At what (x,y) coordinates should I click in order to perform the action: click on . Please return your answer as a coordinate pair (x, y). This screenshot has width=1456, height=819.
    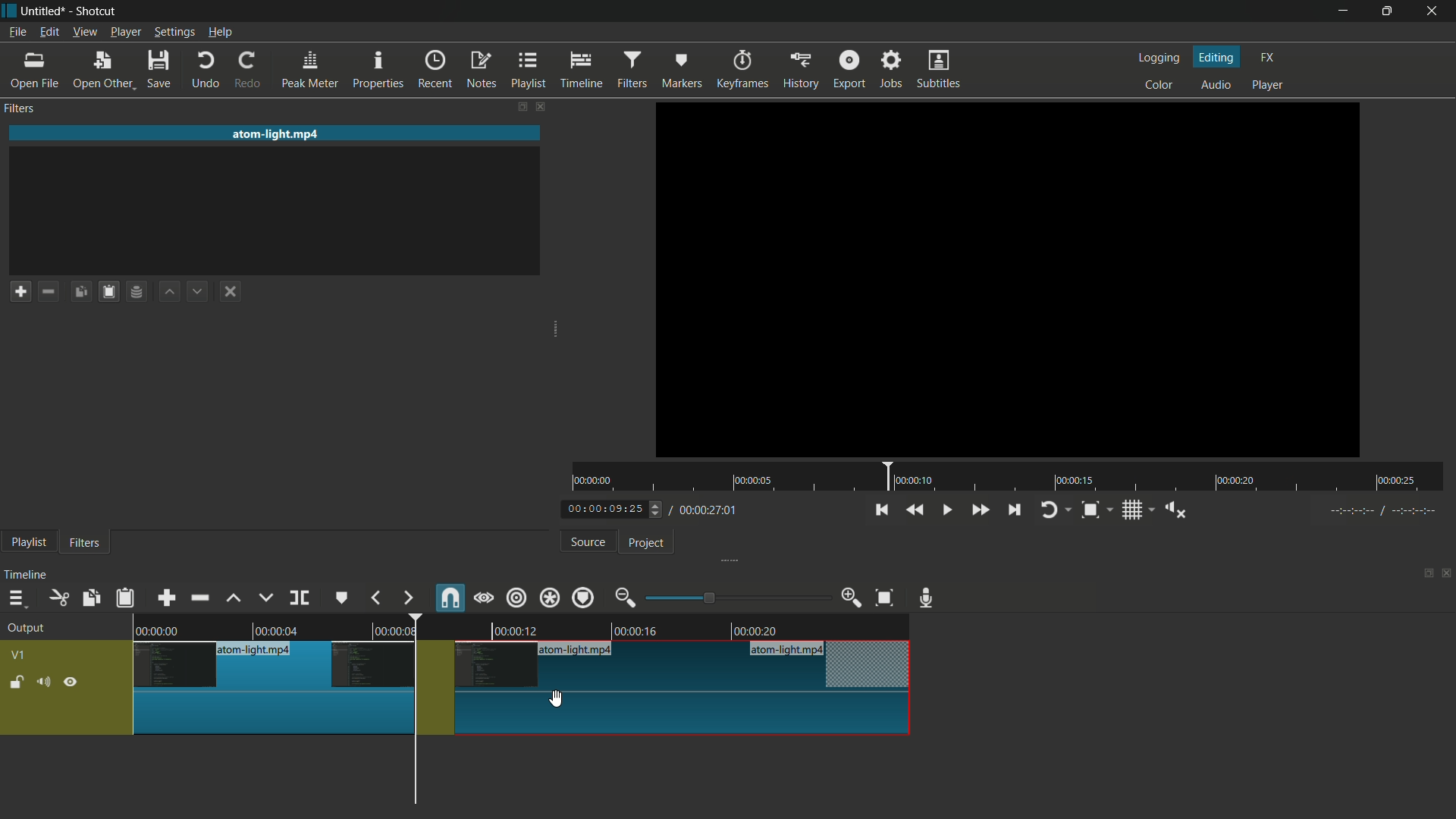
    Looking at the image, I should click on (1379, 513).